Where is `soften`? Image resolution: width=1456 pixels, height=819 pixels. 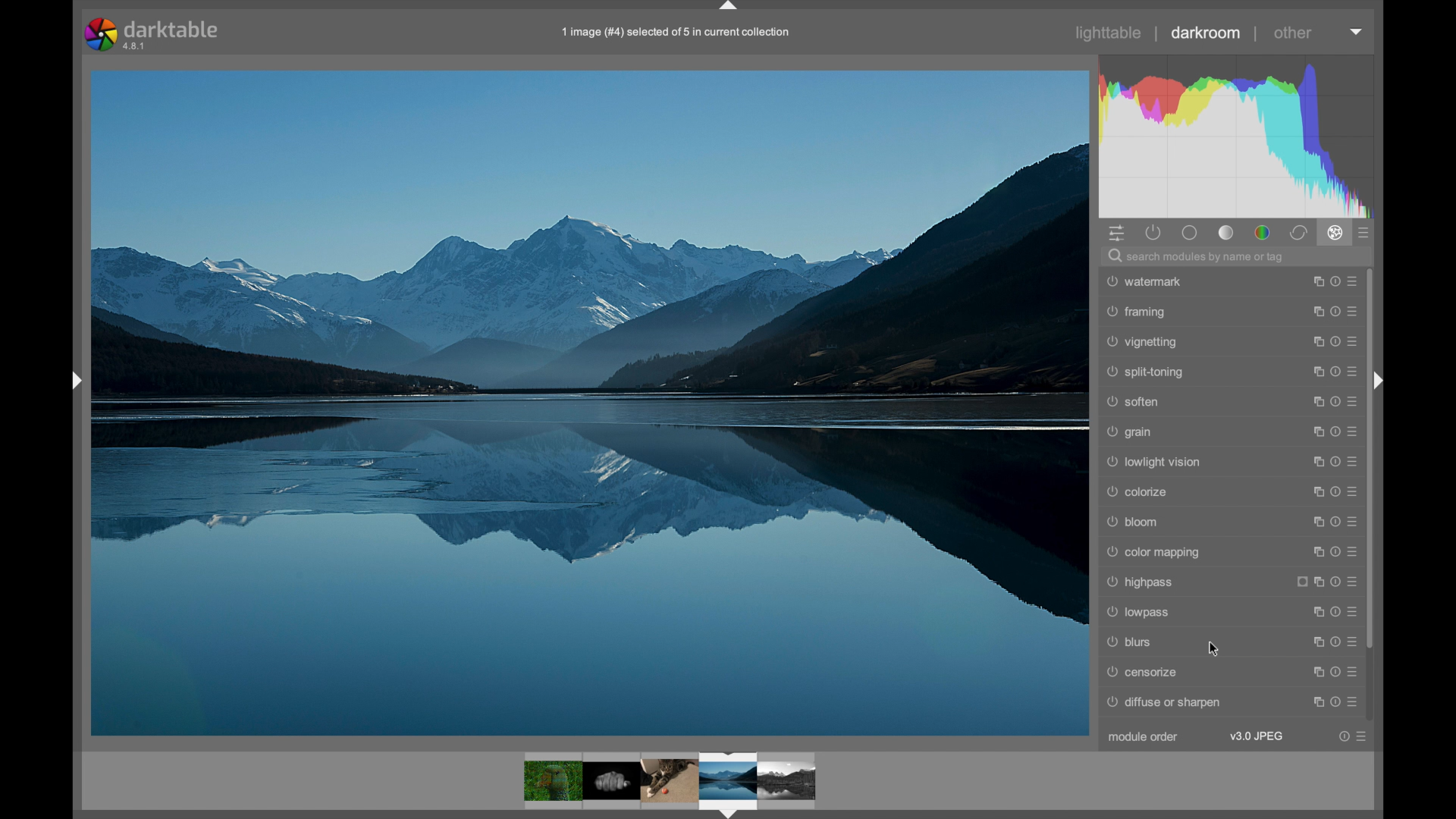 soften is located at coordinates (1134, 402).